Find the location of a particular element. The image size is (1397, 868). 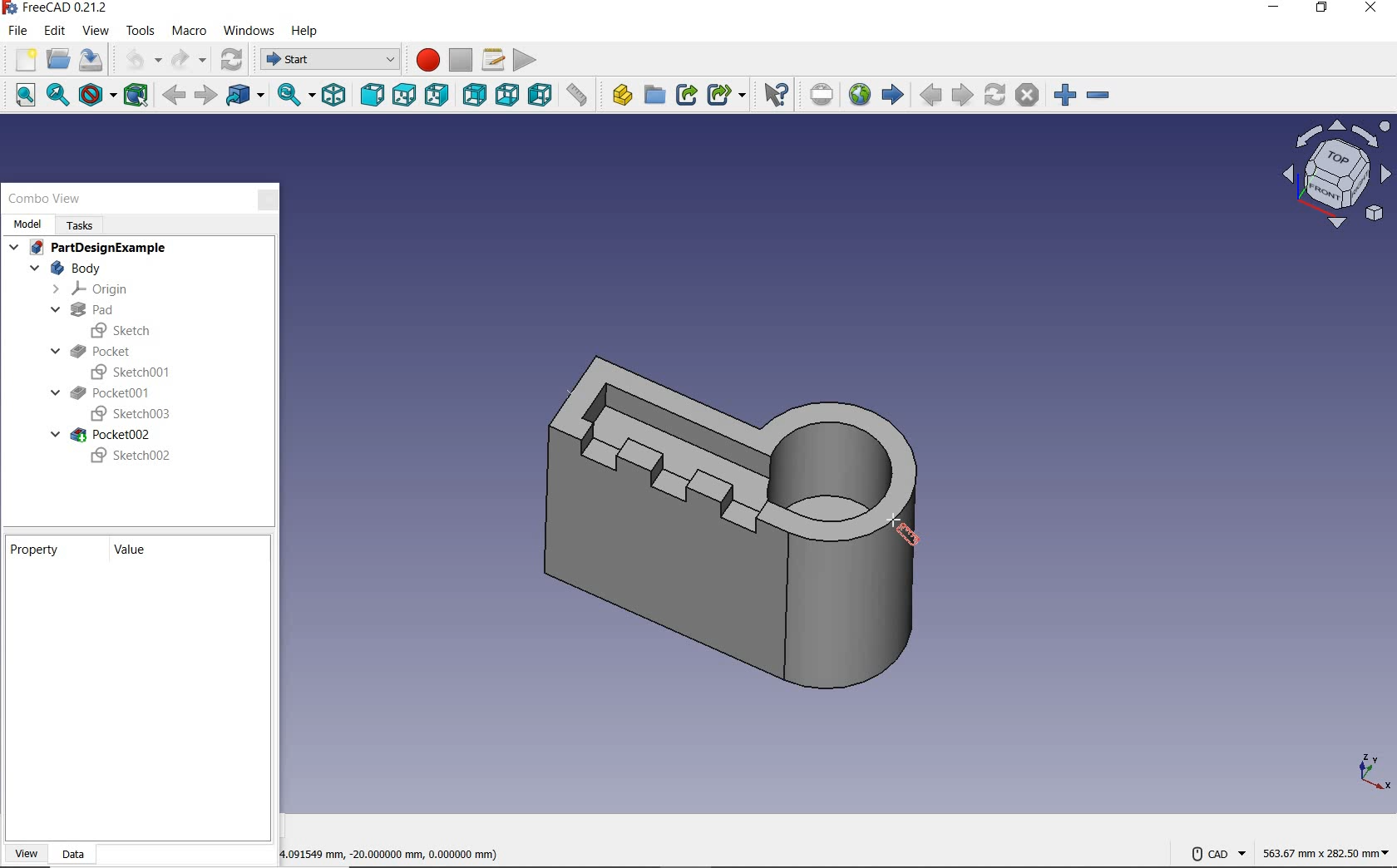

COMBO VIEW is located at coordinates (46, 199).